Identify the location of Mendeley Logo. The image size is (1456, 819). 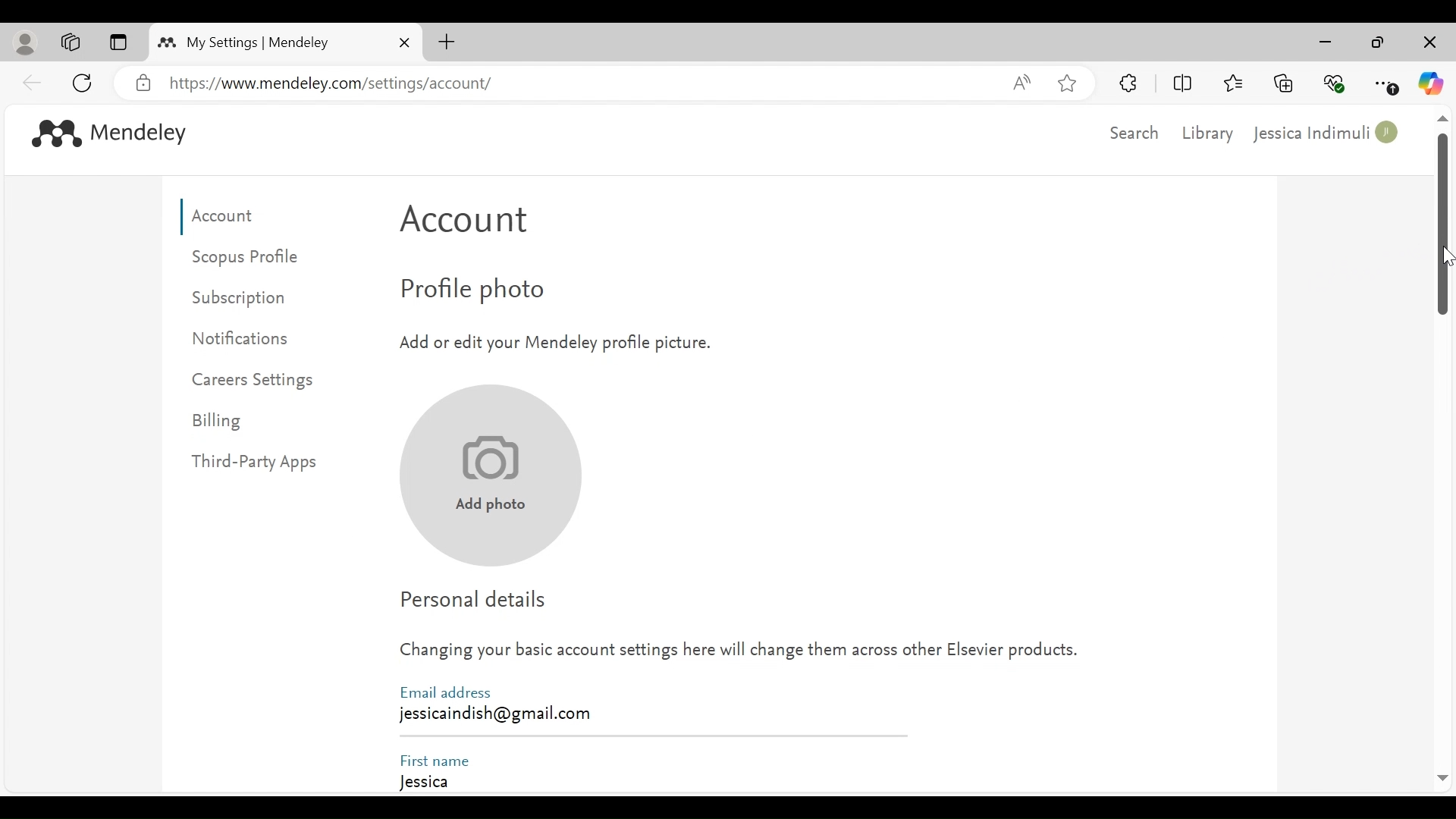
(52, 132).